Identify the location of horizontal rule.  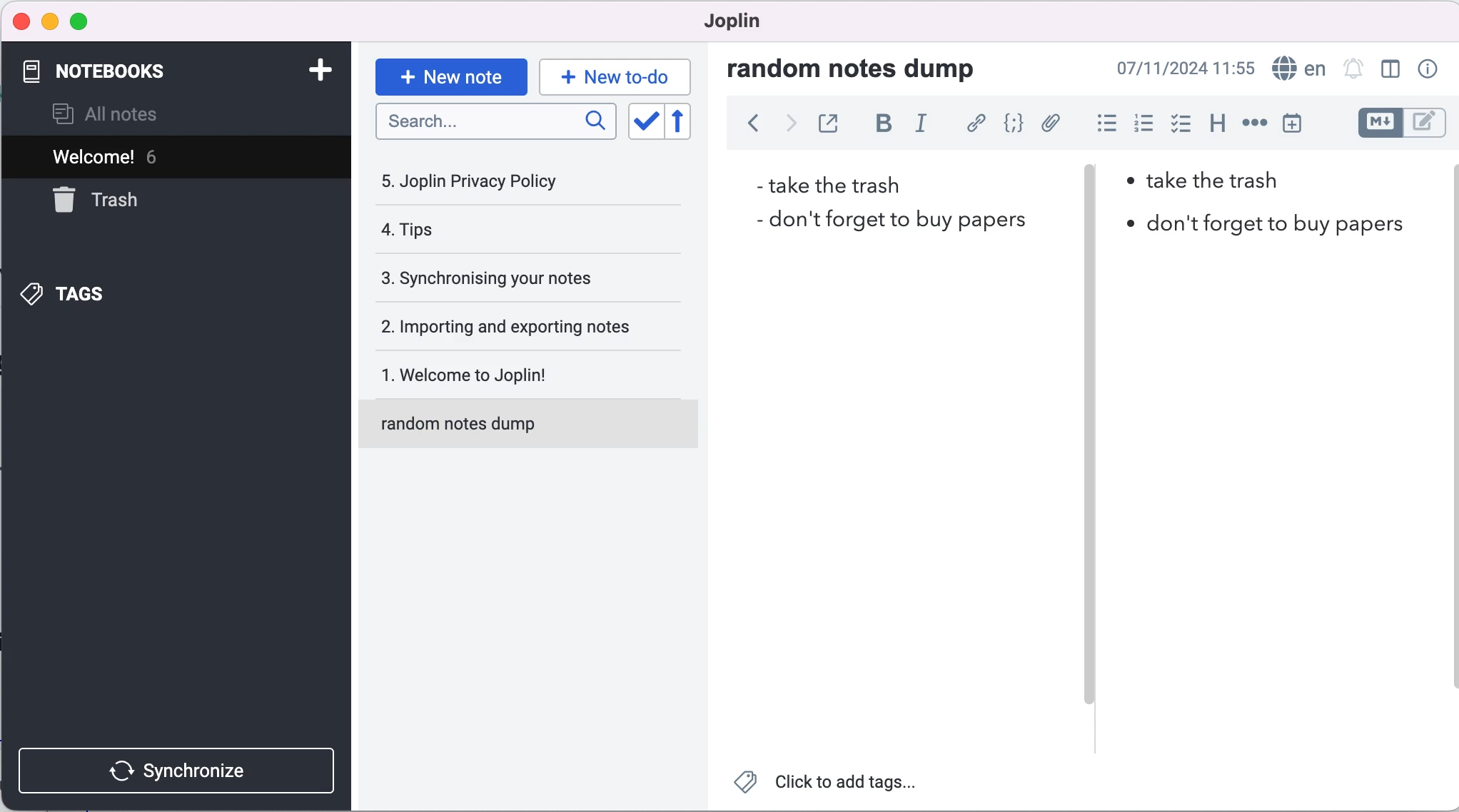
(1254, 123).